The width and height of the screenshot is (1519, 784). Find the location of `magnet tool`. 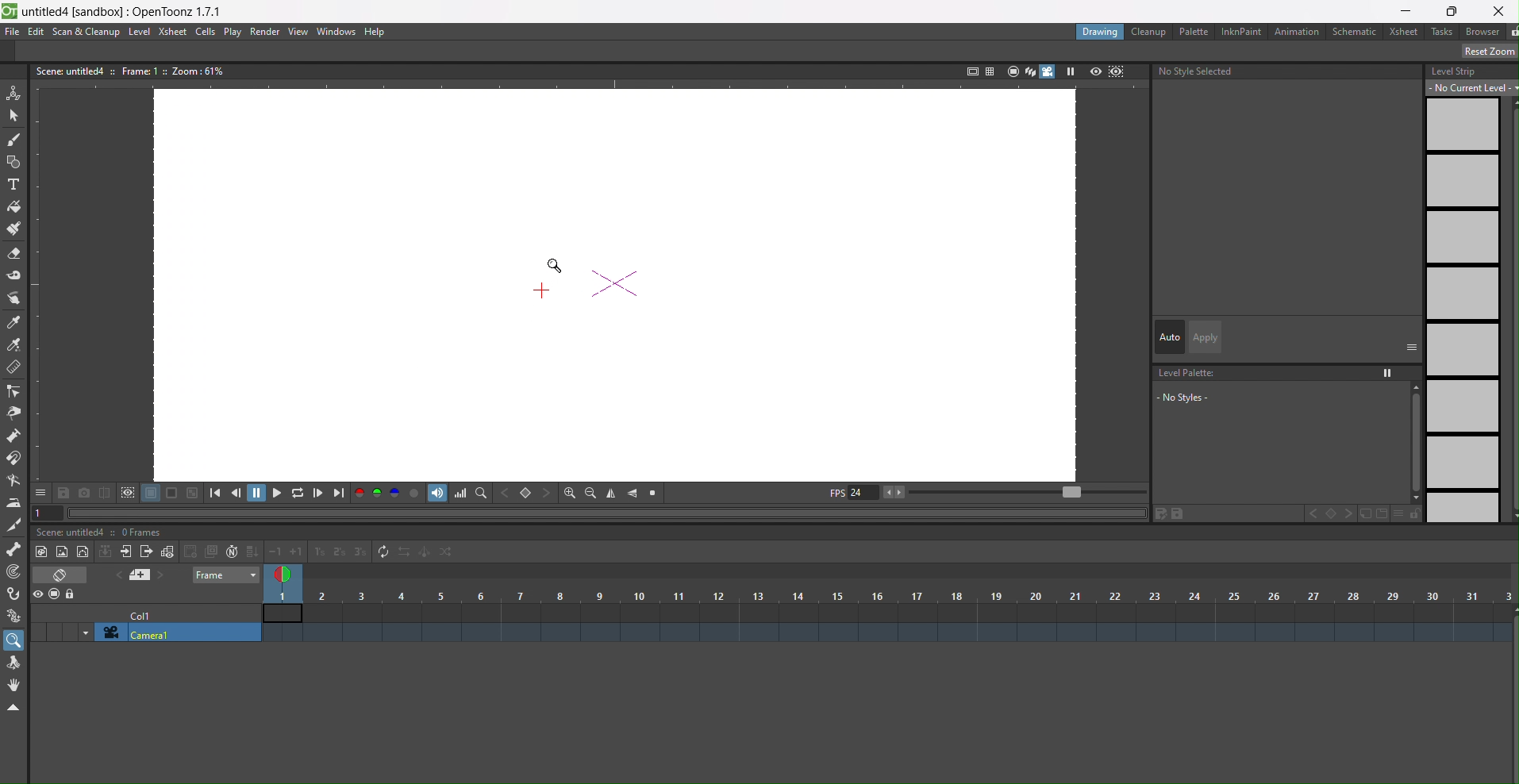

magnet tool is located at coordinates (15, 459).